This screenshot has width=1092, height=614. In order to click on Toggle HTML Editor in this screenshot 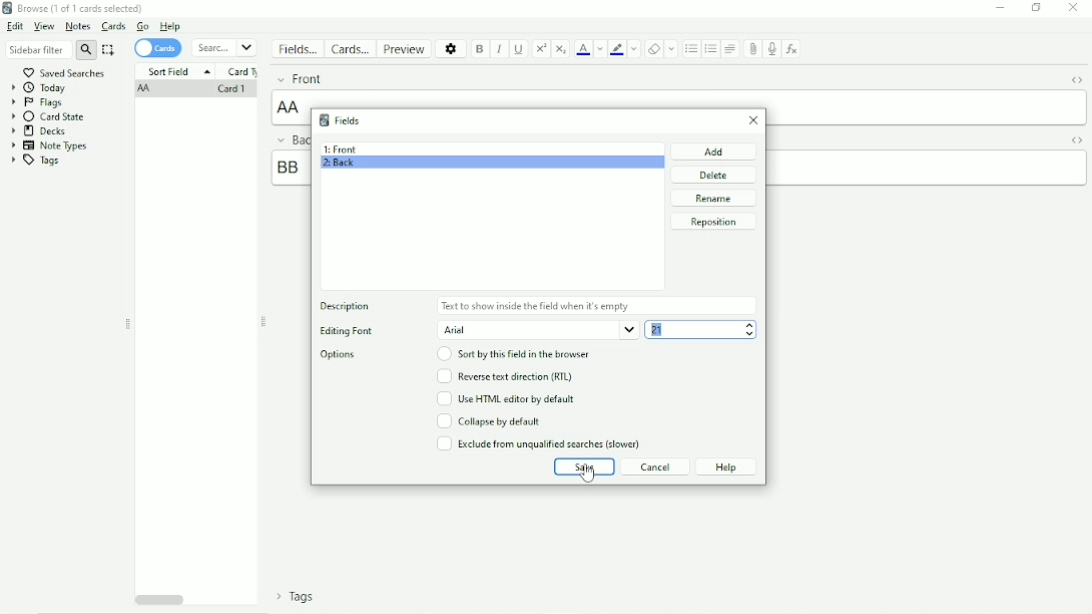, I will do `click(1076, 82)`.